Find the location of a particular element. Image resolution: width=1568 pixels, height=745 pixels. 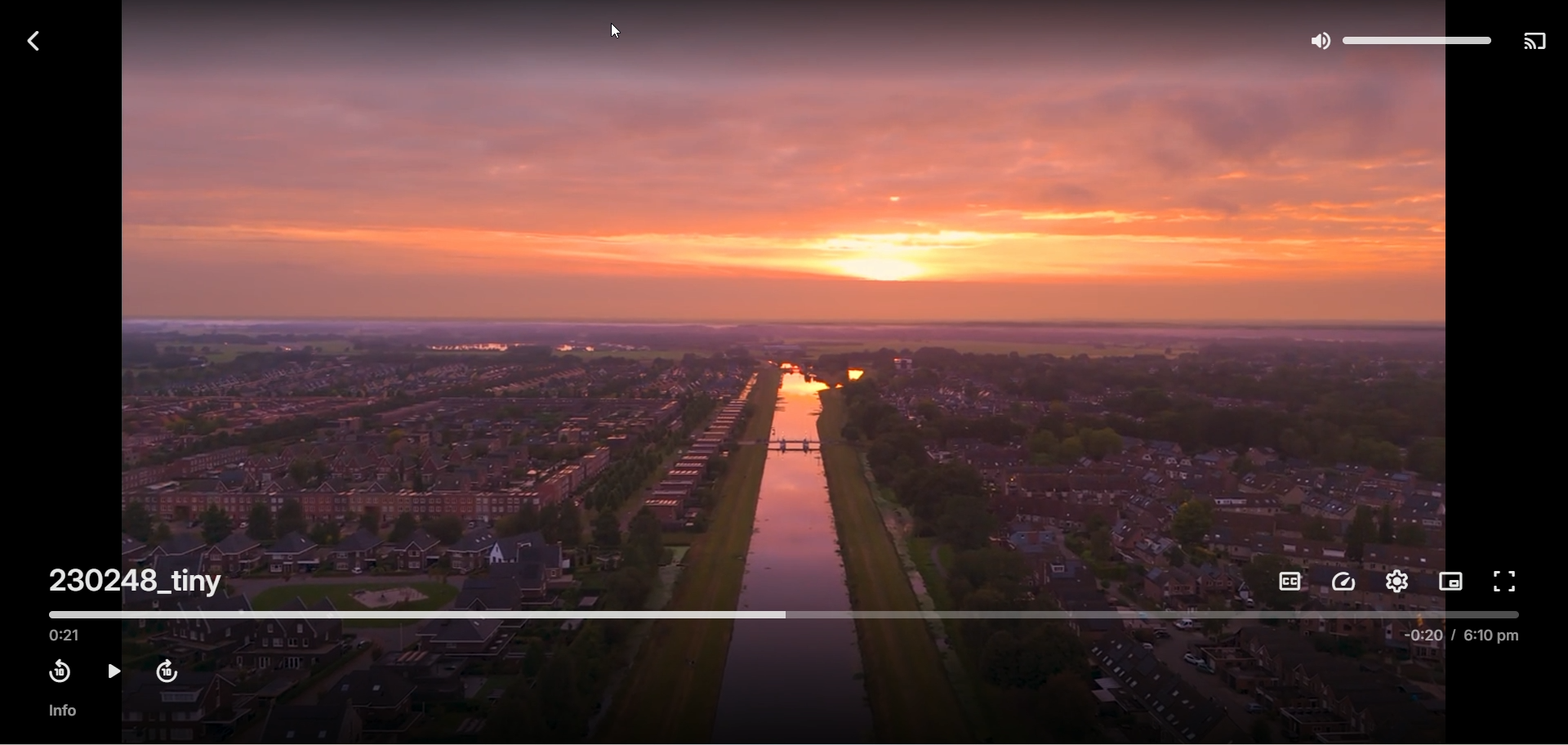

full screen is located at coordinates (1503, 581).